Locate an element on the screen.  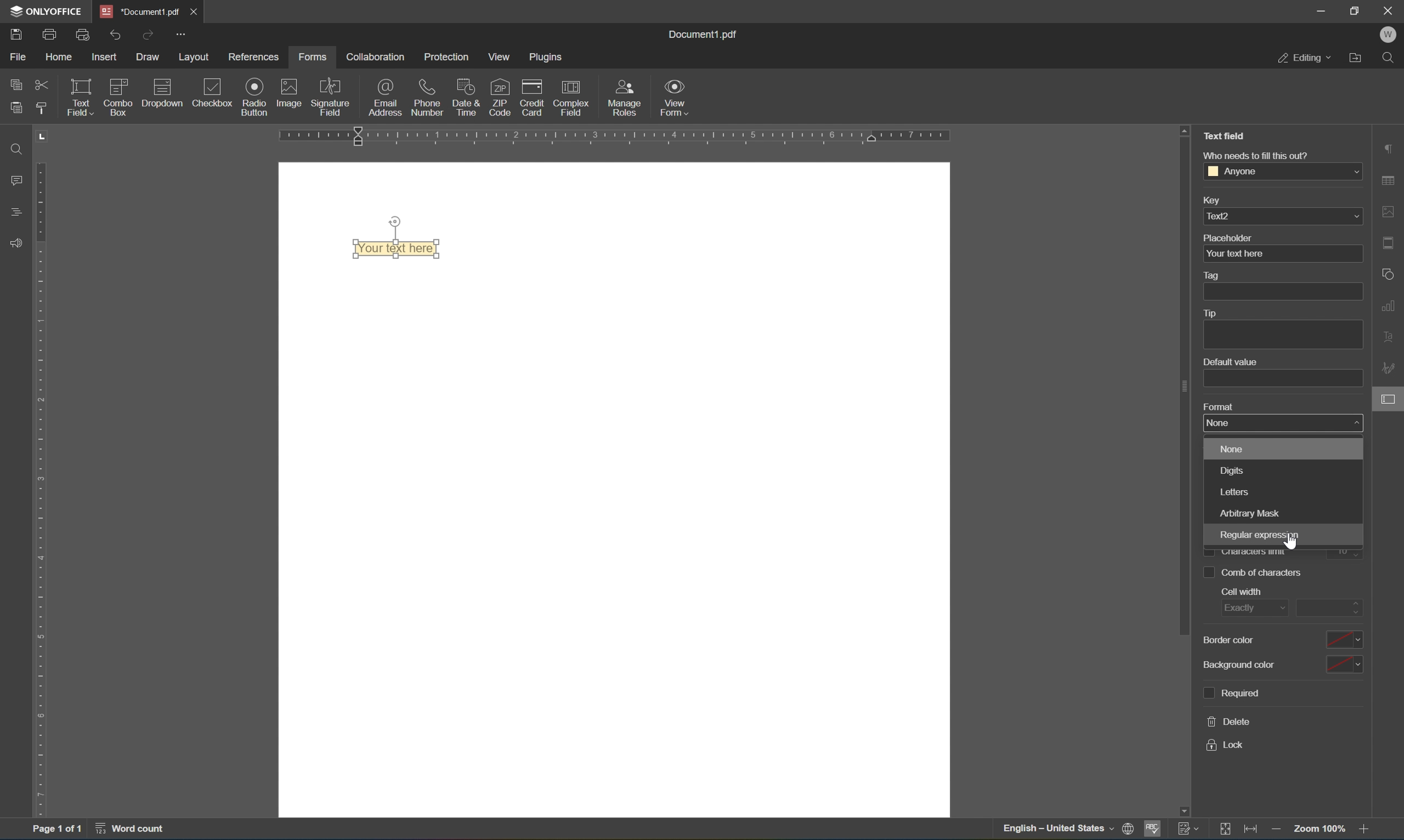
comb of characters is located at coordinates (1253, 573).